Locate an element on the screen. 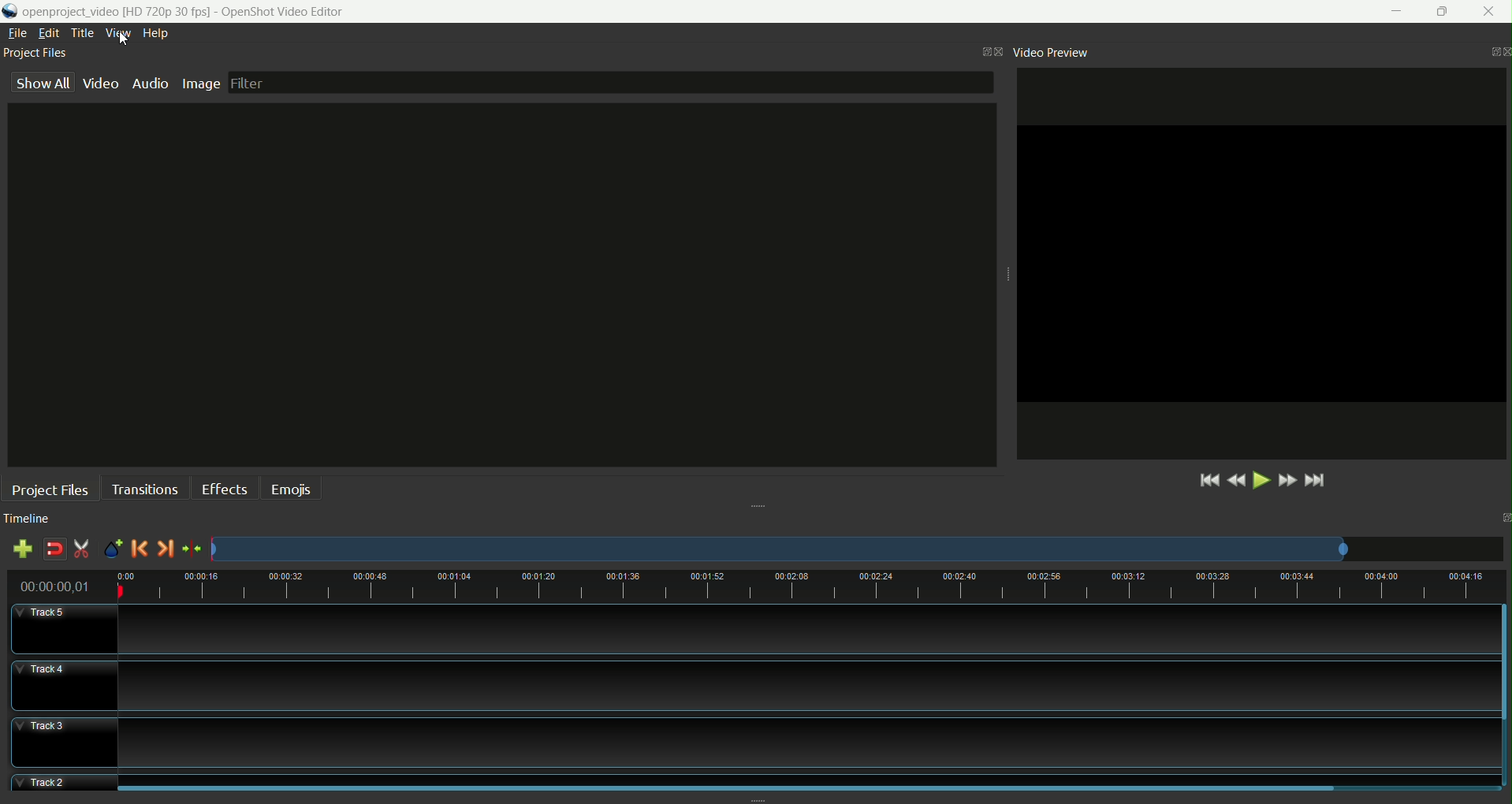 This screenshot has width=1512, height=804. image is located at coordinates (203, 84).